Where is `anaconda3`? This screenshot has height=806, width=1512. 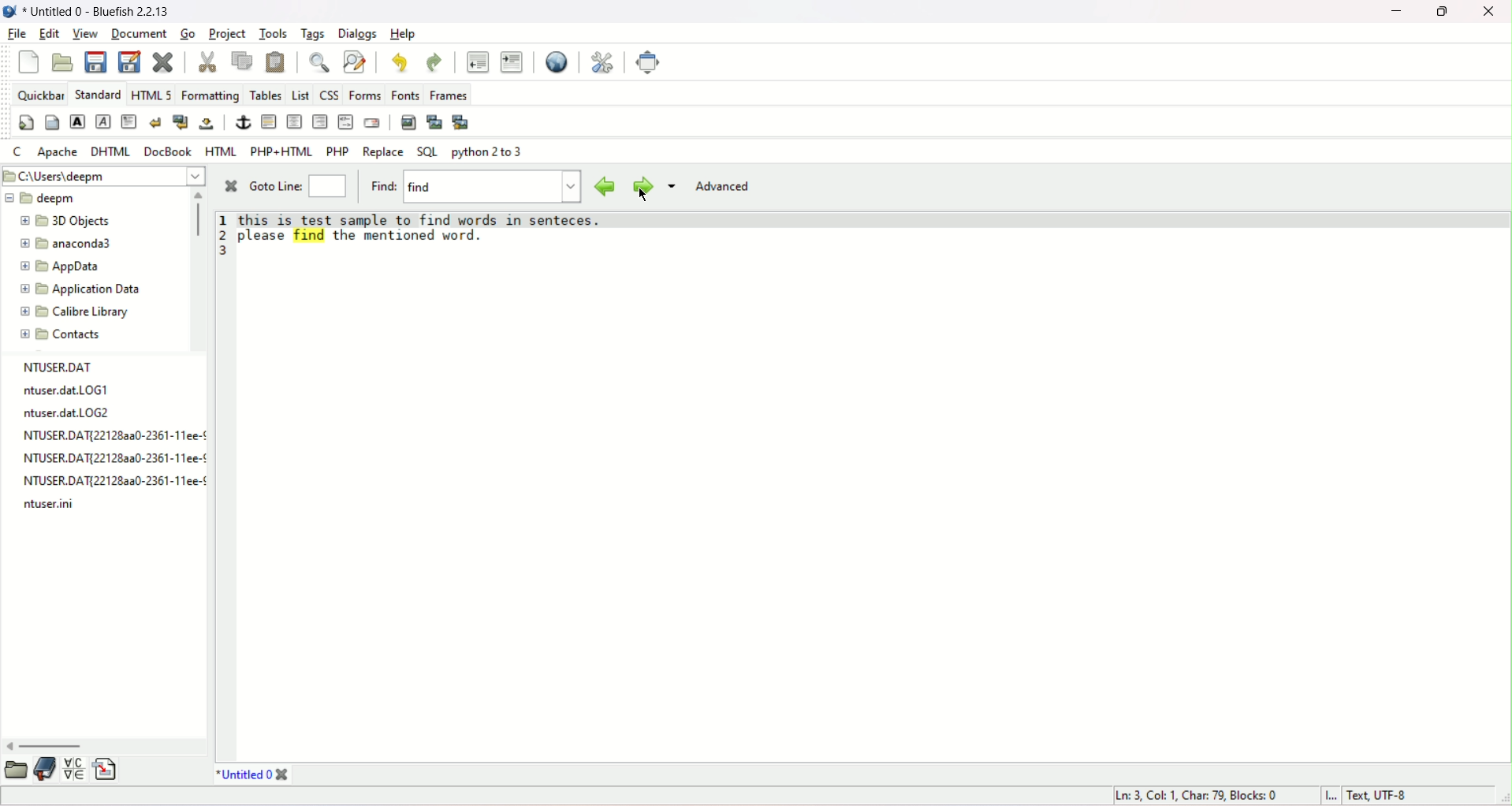
anaconda3 is located at coordinates (73, 244).